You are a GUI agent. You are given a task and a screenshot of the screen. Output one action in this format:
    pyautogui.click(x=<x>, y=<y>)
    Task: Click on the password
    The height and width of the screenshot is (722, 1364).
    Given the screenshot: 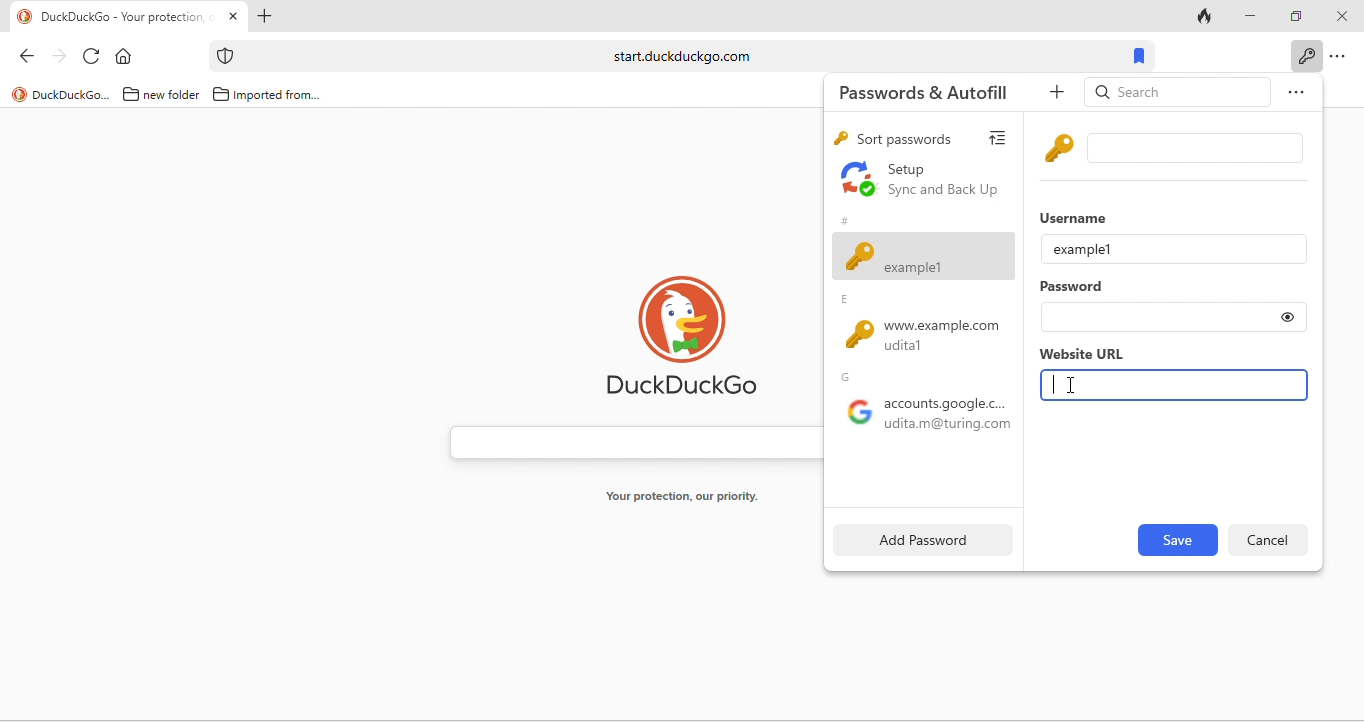 What is the action you would take?
    pyautogui.click(x=1074, y=288)
    